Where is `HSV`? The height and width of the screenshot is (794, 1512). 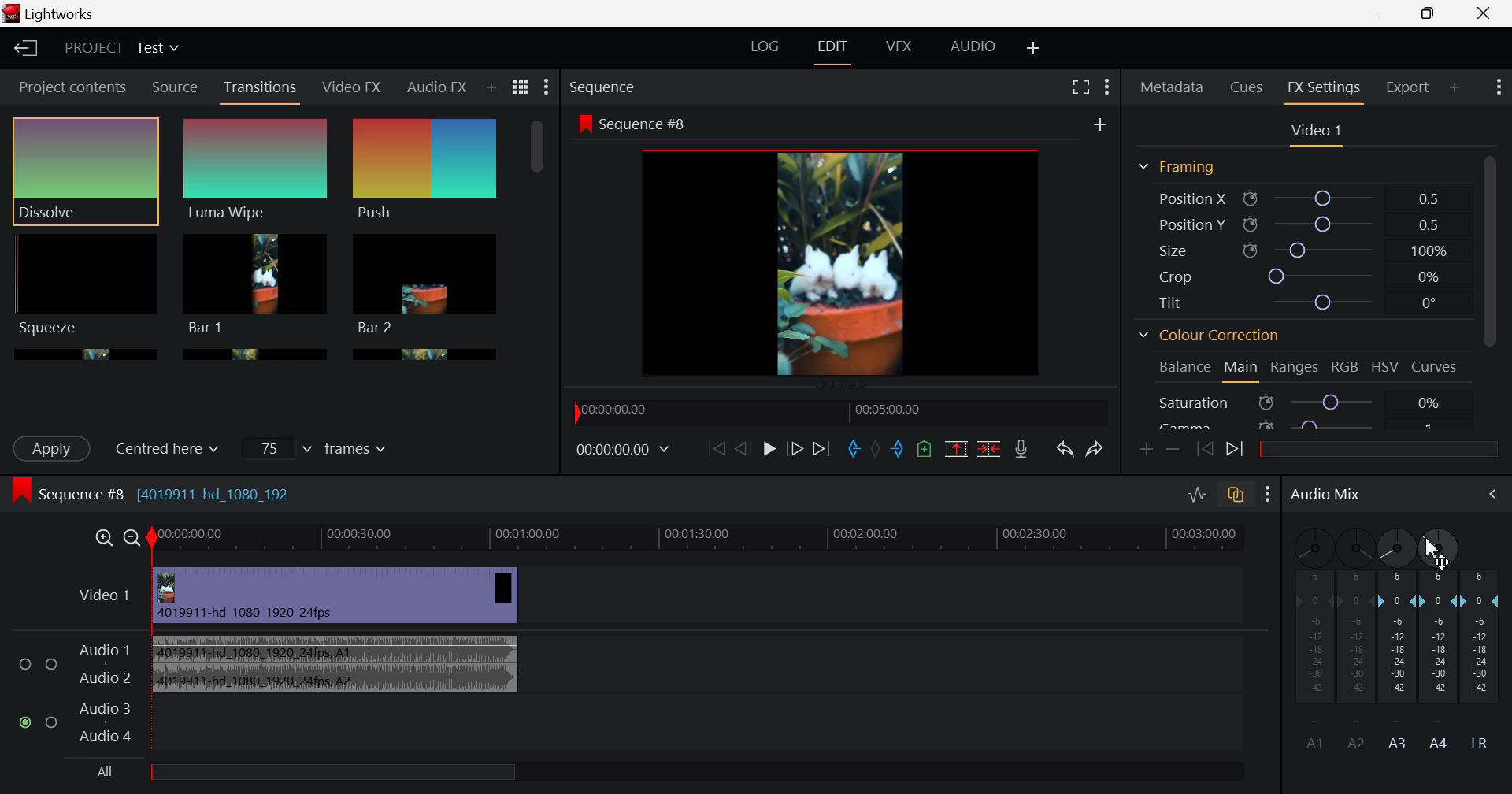
HSV is located at coordinates (1385, 369).